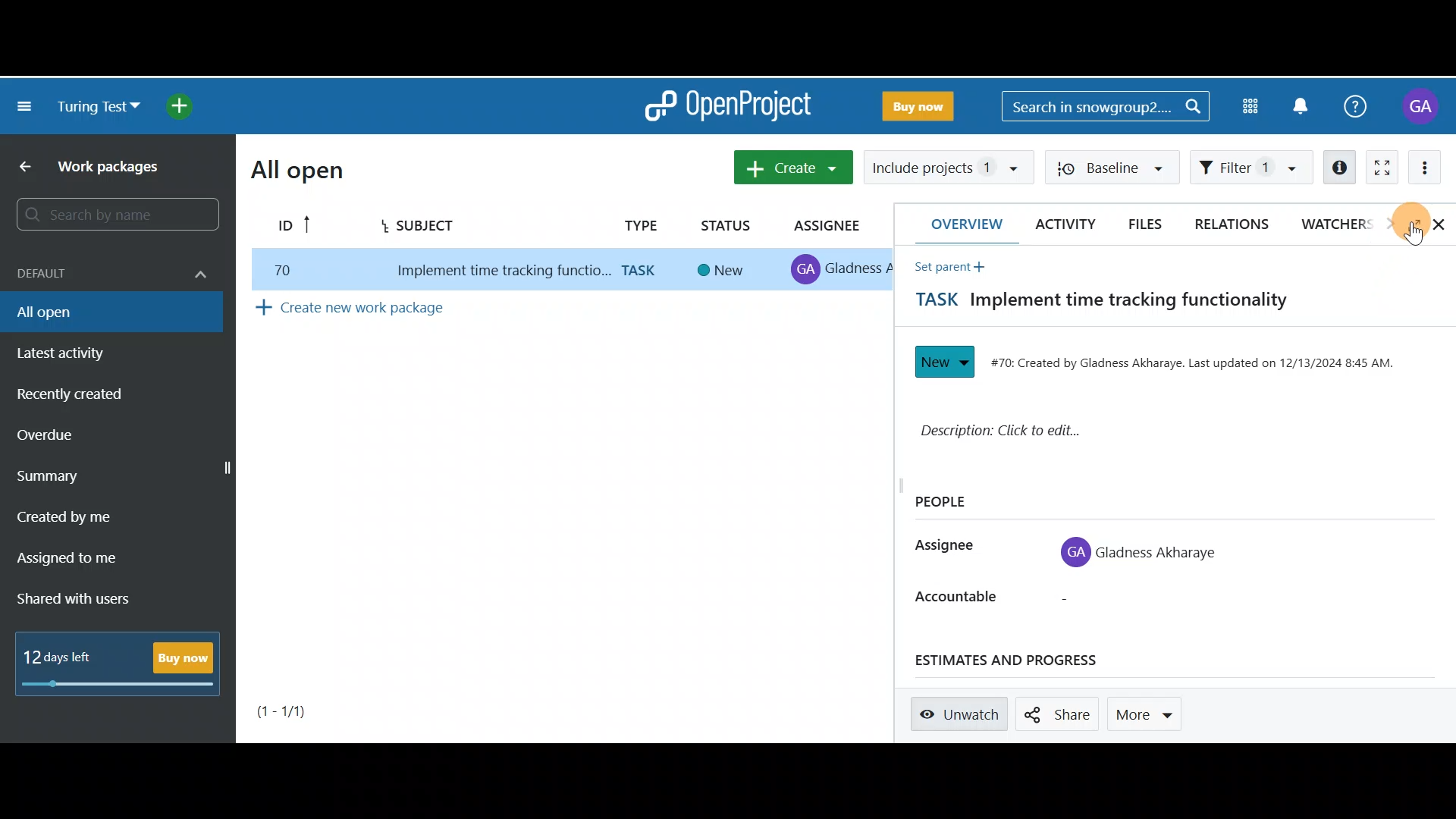 The width and height of the screenshot is (1456, 819). I want to click on Help, so click(1352, 104).